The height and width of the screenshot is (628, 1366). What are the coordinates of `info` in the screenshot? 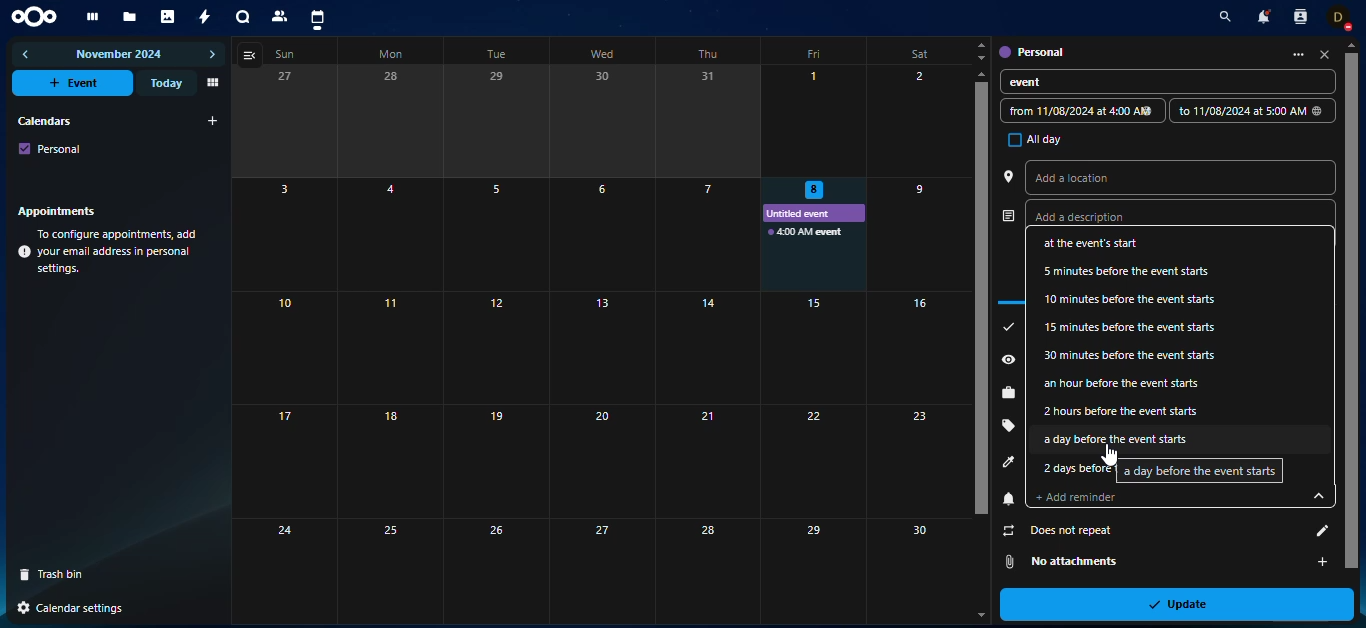 It's located at (110, 252).